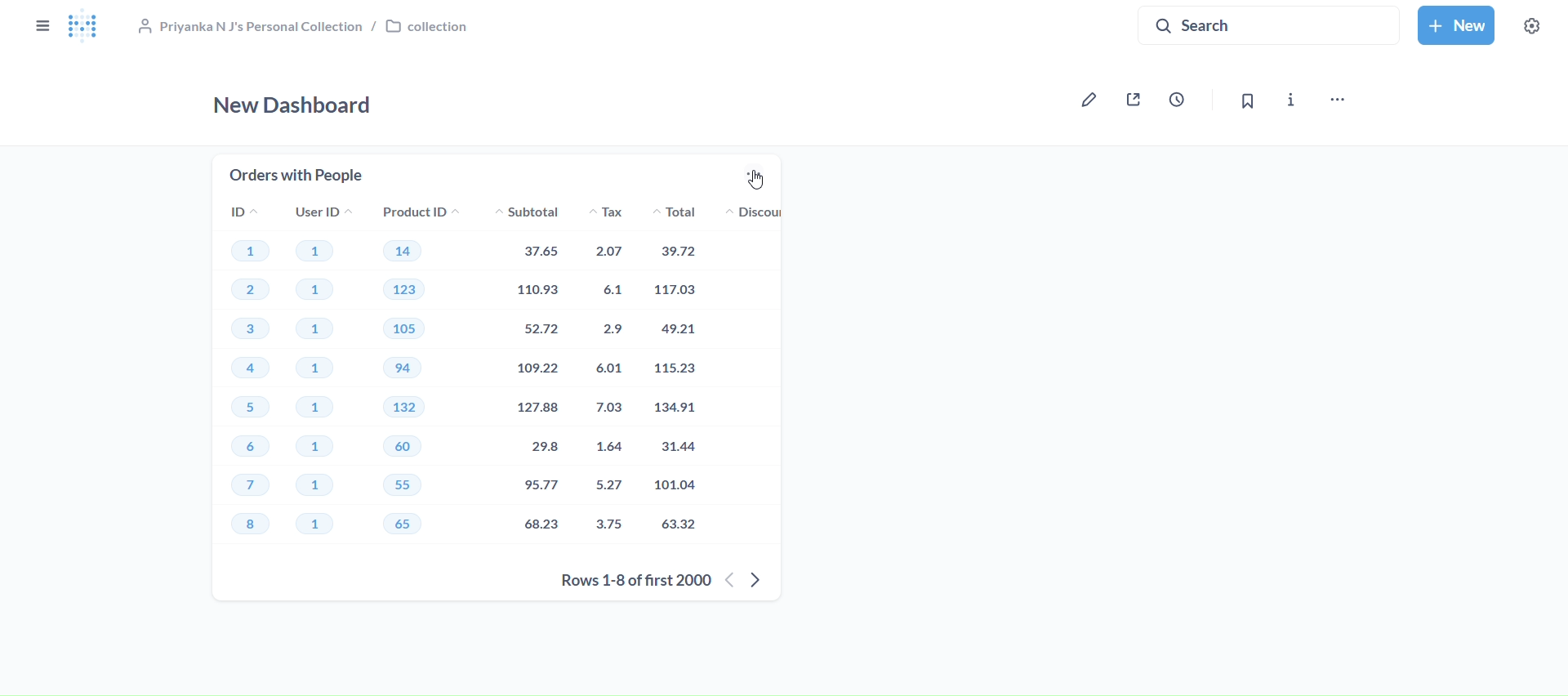 Image resolution: width=1568 pixels, height=696 pixels. I want to click on total, so click(691, 378).